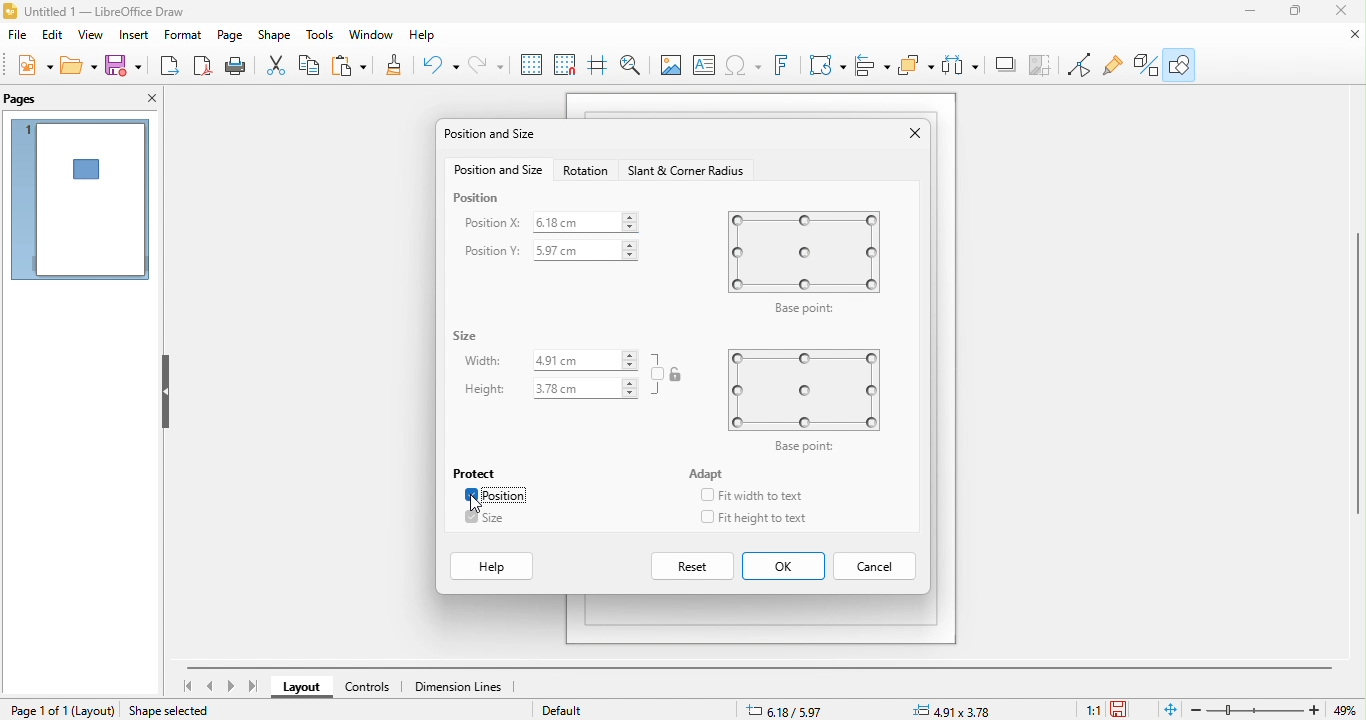 The width and height of the screenshot is (1366, 720). What do you see at coordinates (677, 373) in the screenshot?
I see `icon` at bounding box center [677, 373].